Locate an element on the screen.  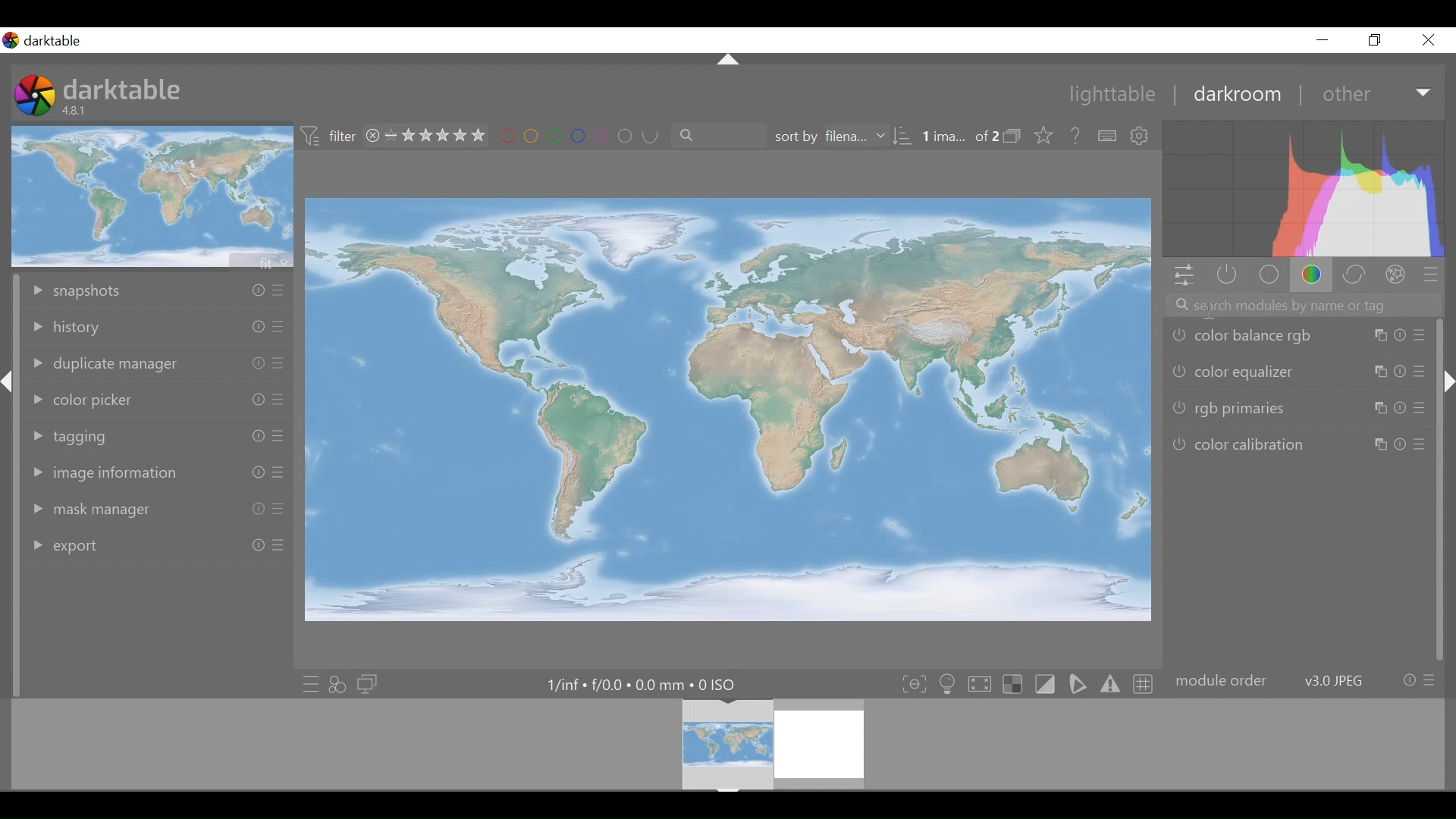
Help is located at coordinates (1075, 134).